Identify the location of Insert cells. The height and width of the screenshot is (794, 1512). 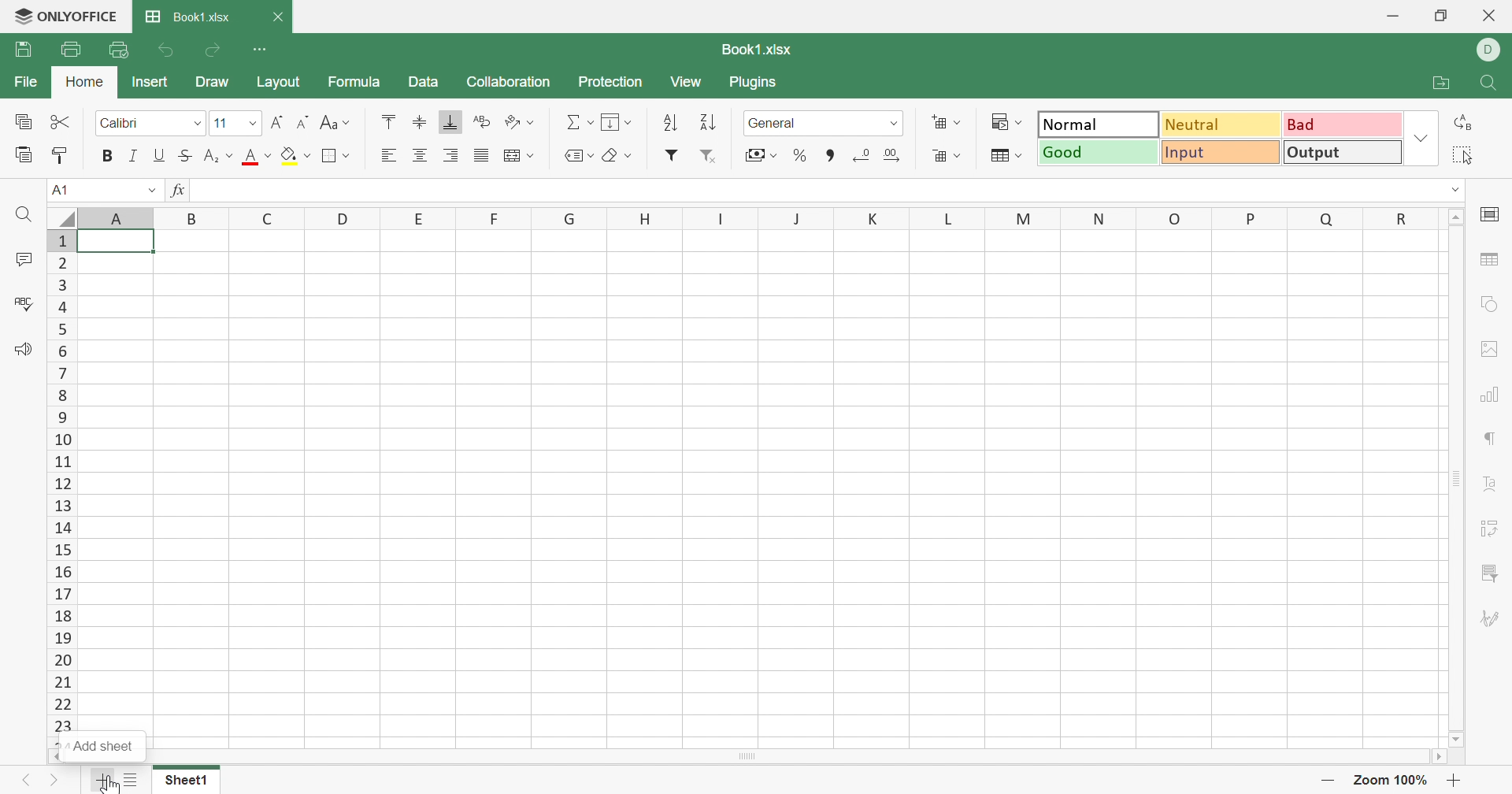
(944, 123).